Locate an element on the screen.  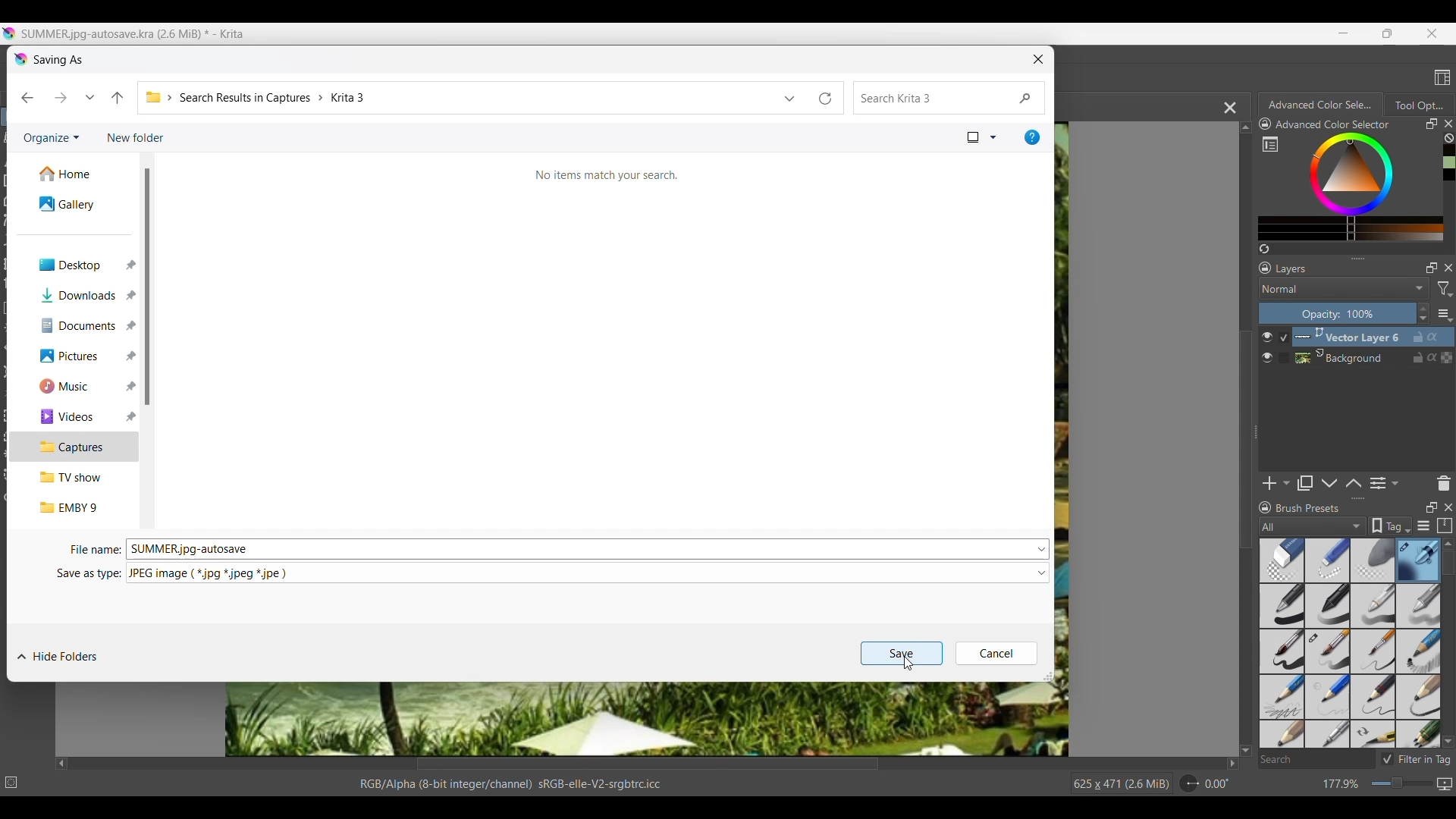
Vertical slide bar is located at coordinates (1448, 563).